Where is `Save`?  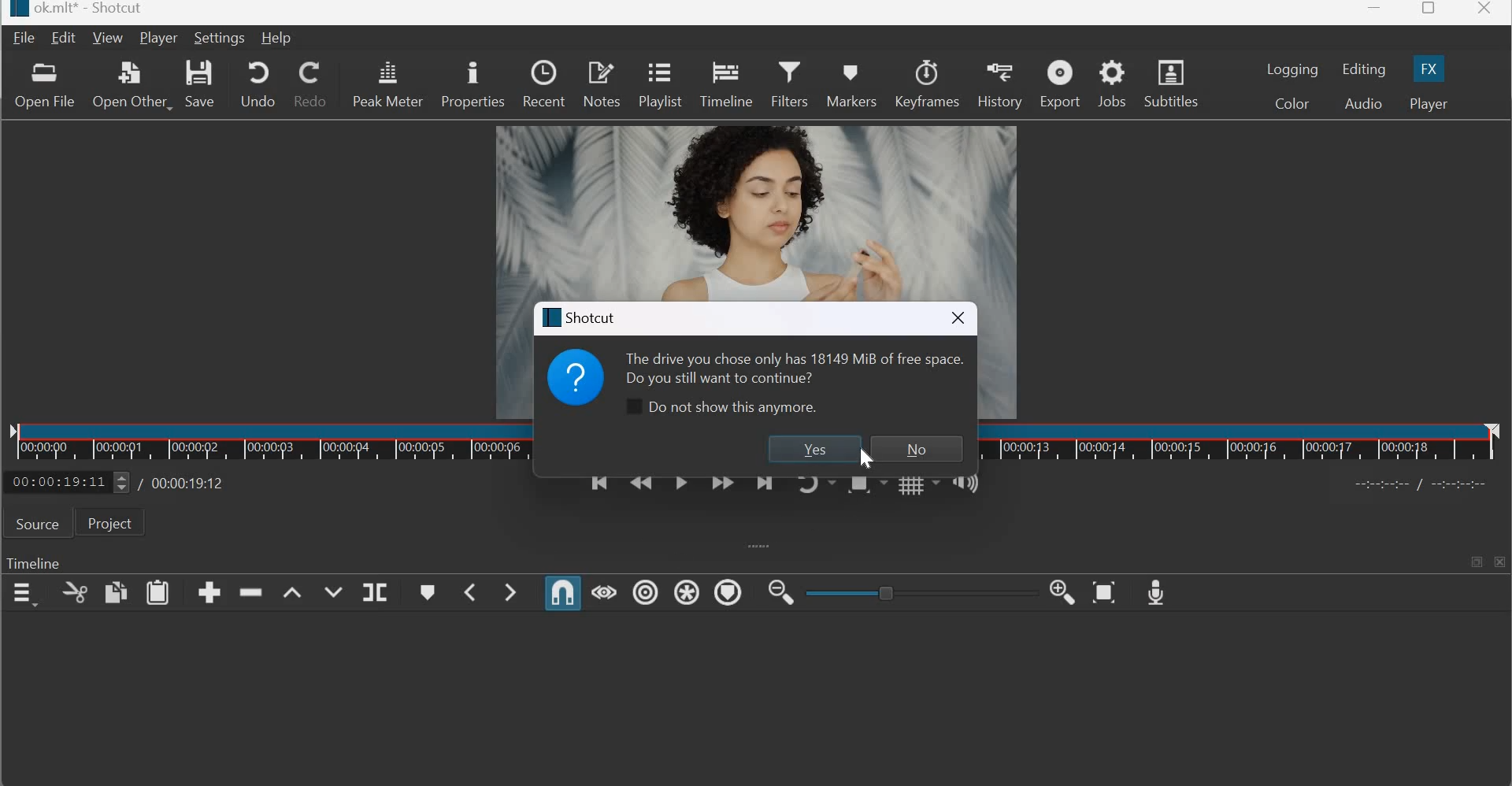
Save is located at coordinates (202, 86).